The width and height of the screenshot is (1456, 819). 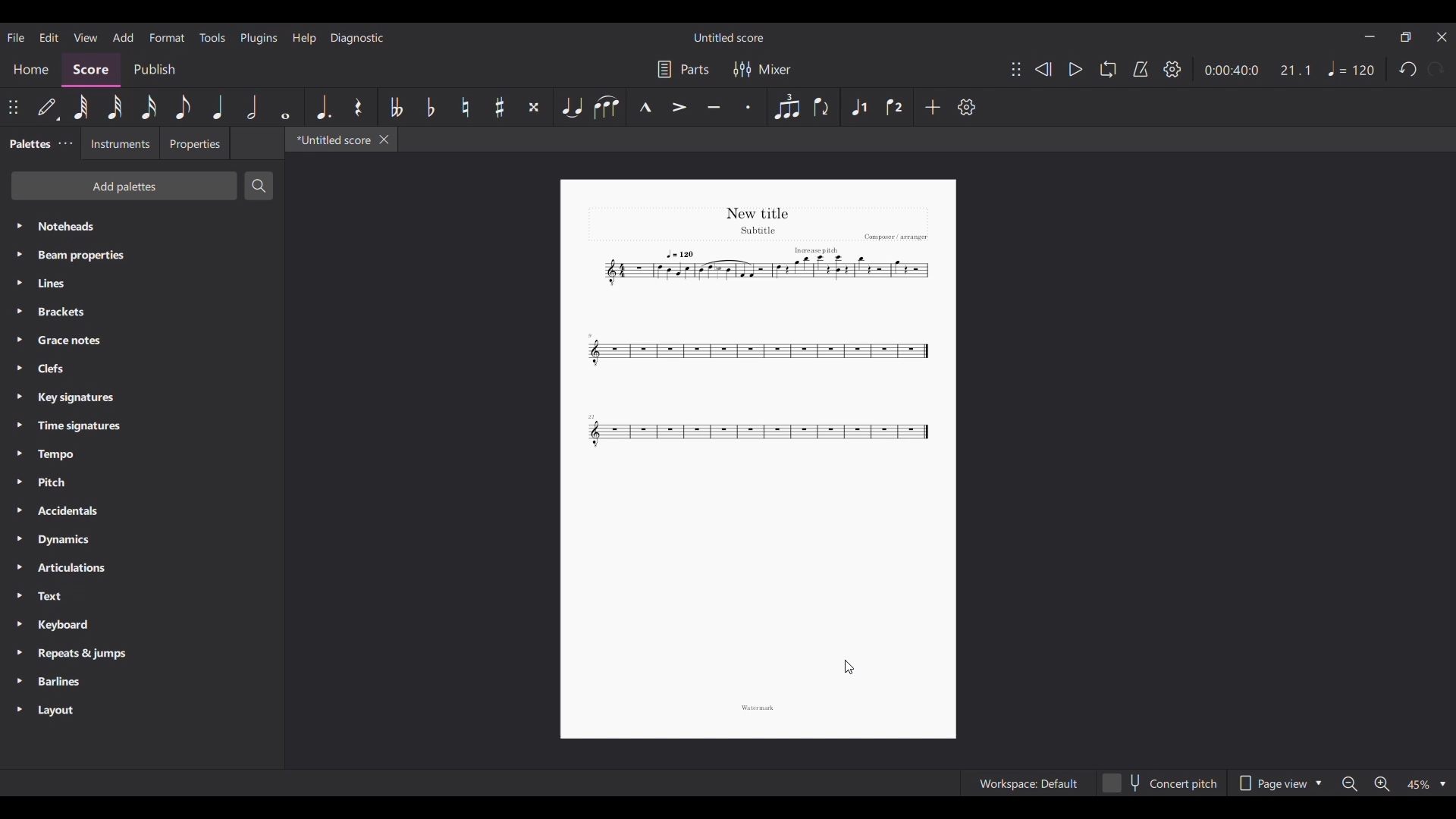 I want to click on Edit menu, so click(x=49, y=37).